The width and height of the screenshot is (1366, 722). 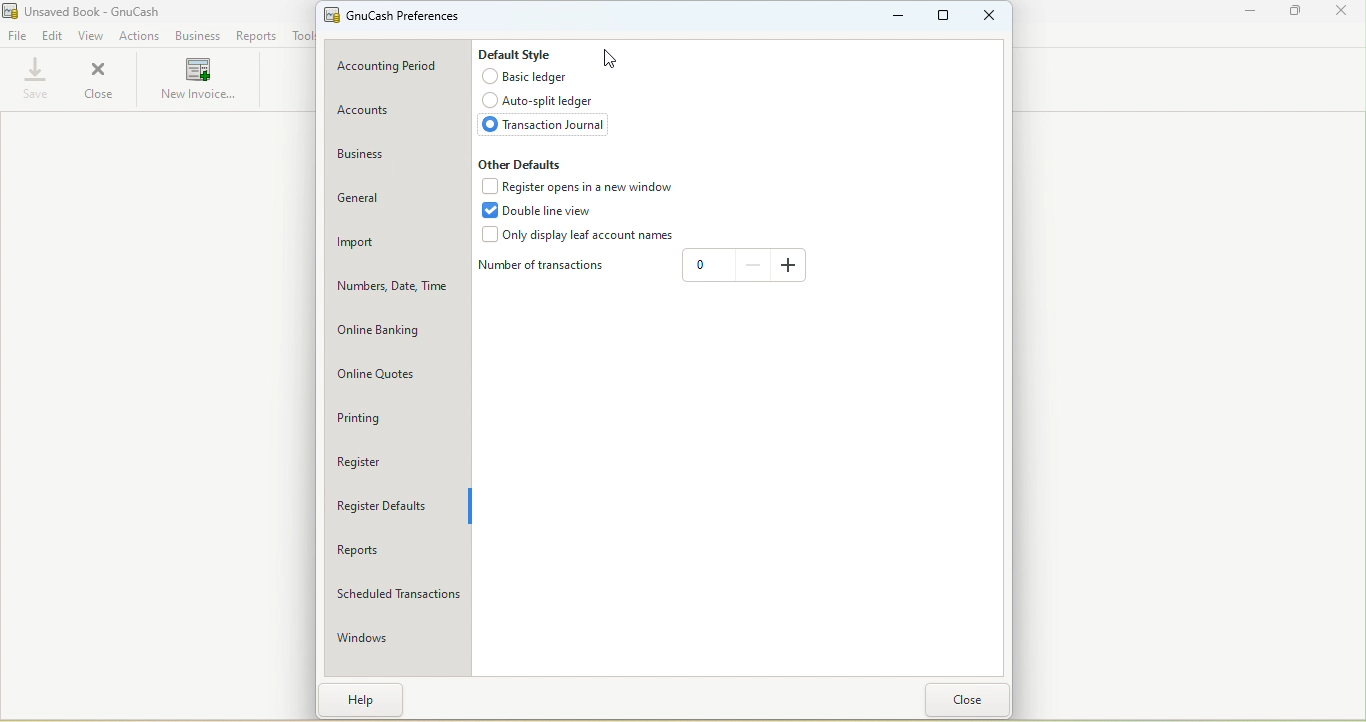 I want to click on Business, so click(x=200, y=36).